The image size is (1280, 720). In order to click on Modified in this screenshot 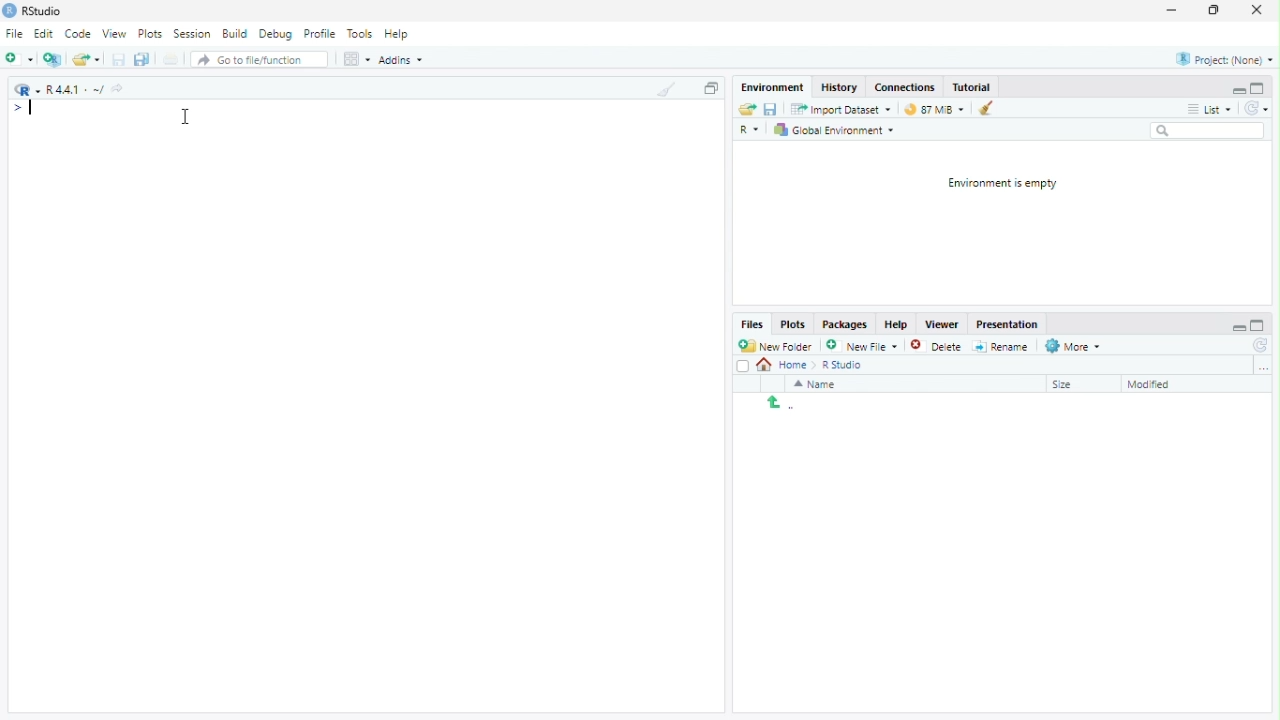, I will do `click(1153, 385)`.